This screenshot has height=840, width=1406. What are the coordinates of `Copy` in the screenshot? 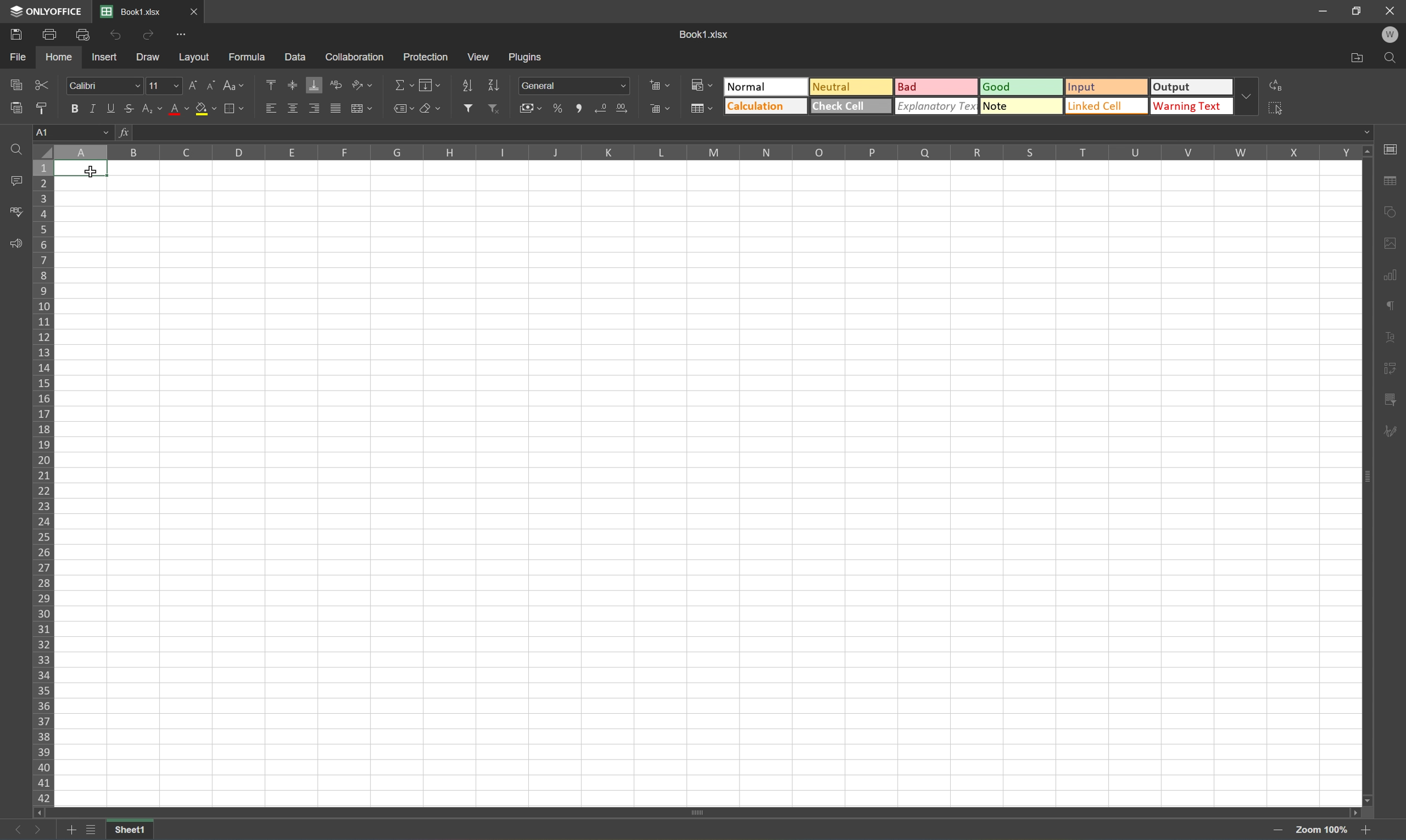 It's located at (16, 83).